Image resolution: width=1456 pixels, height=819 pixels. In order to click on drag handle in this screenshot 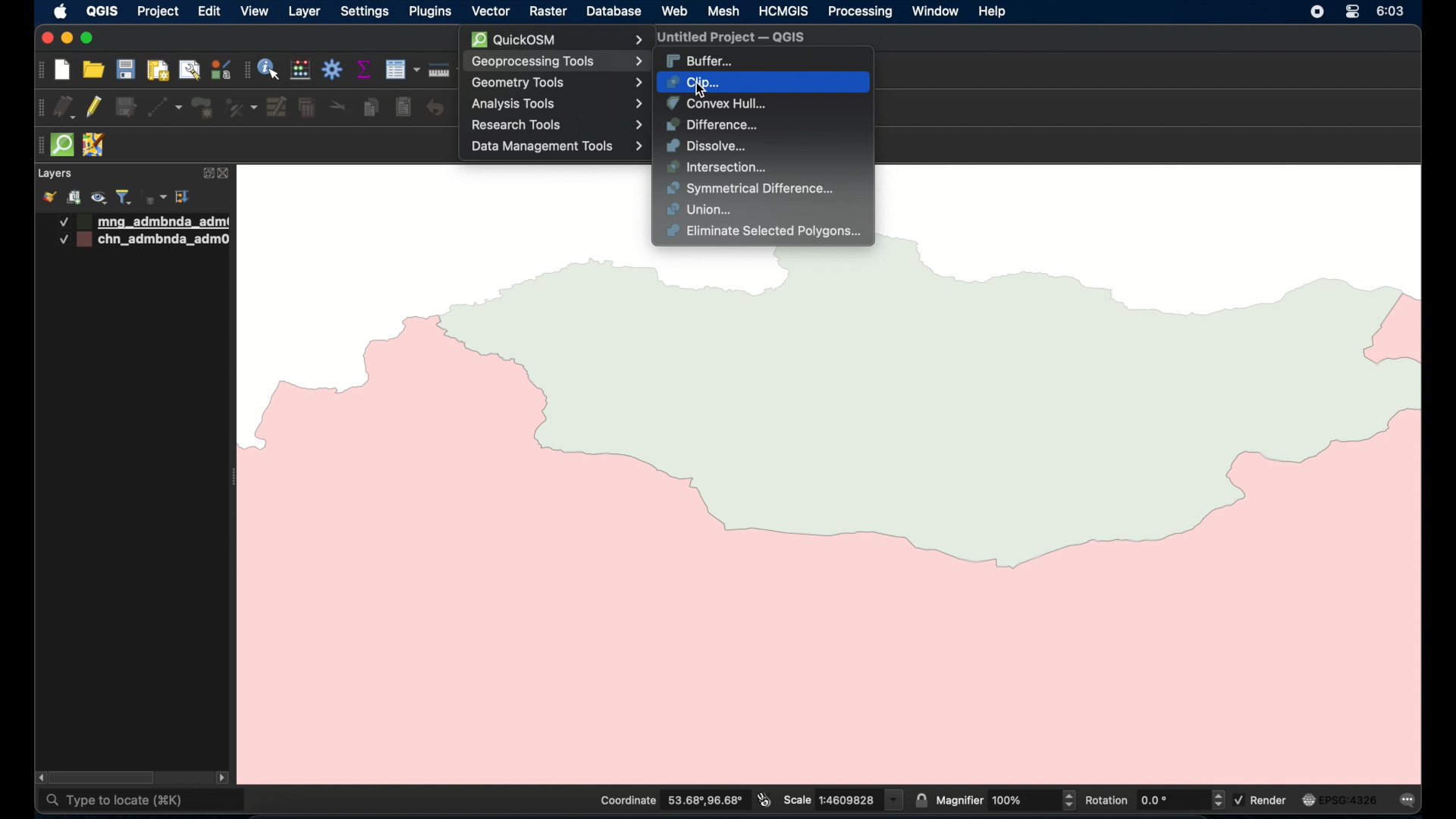, I will do `click(37, 146)`.